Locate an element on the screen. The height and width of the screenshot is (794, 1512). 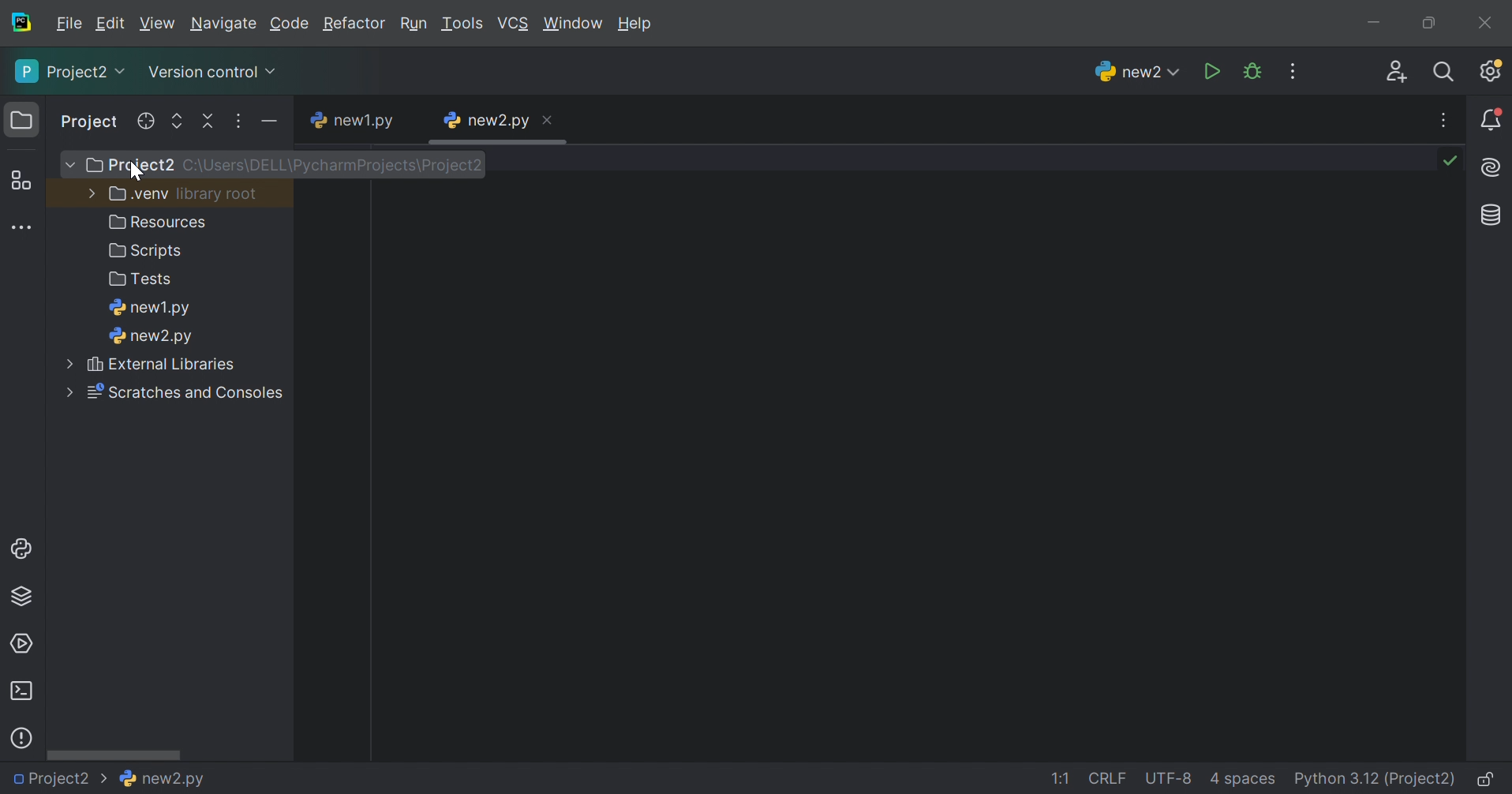
Python Packages is located at coordinates (28, 599).